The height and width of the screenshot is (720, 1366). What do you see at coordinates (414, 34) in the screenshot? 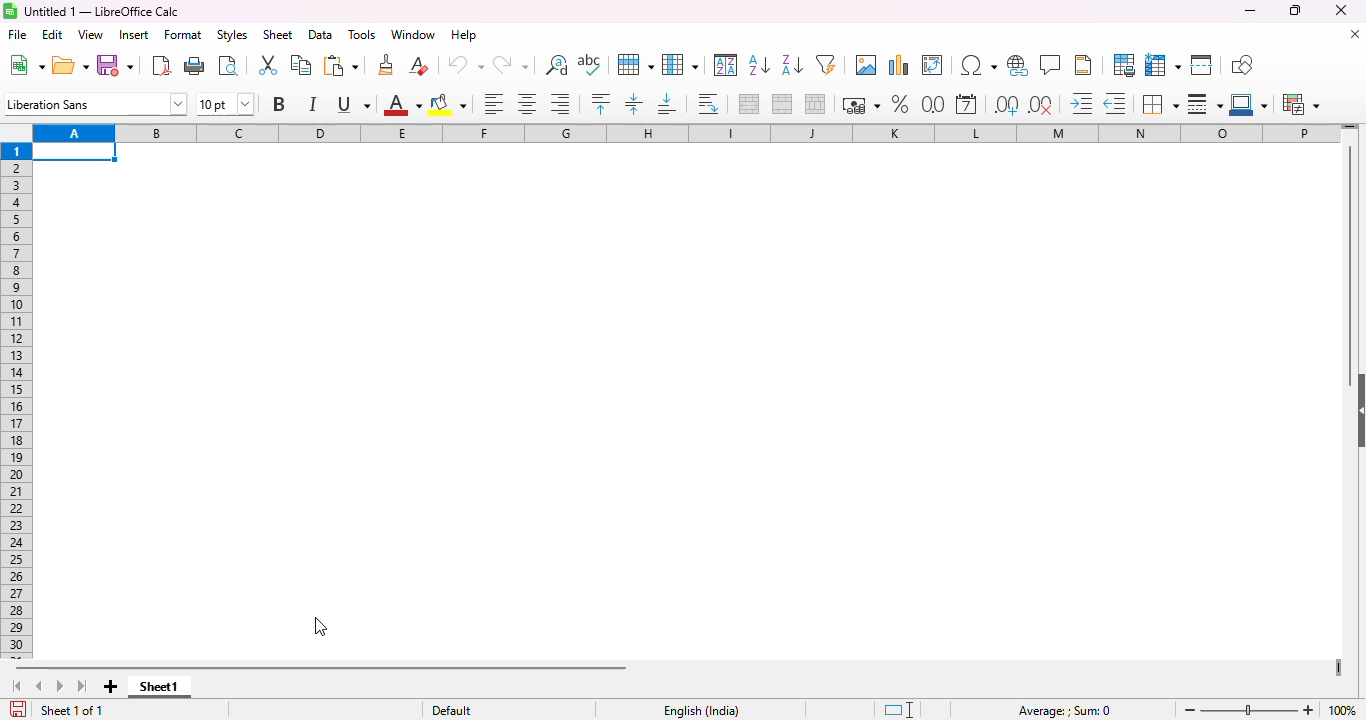
I see `window` at bounding box center [414, 34].